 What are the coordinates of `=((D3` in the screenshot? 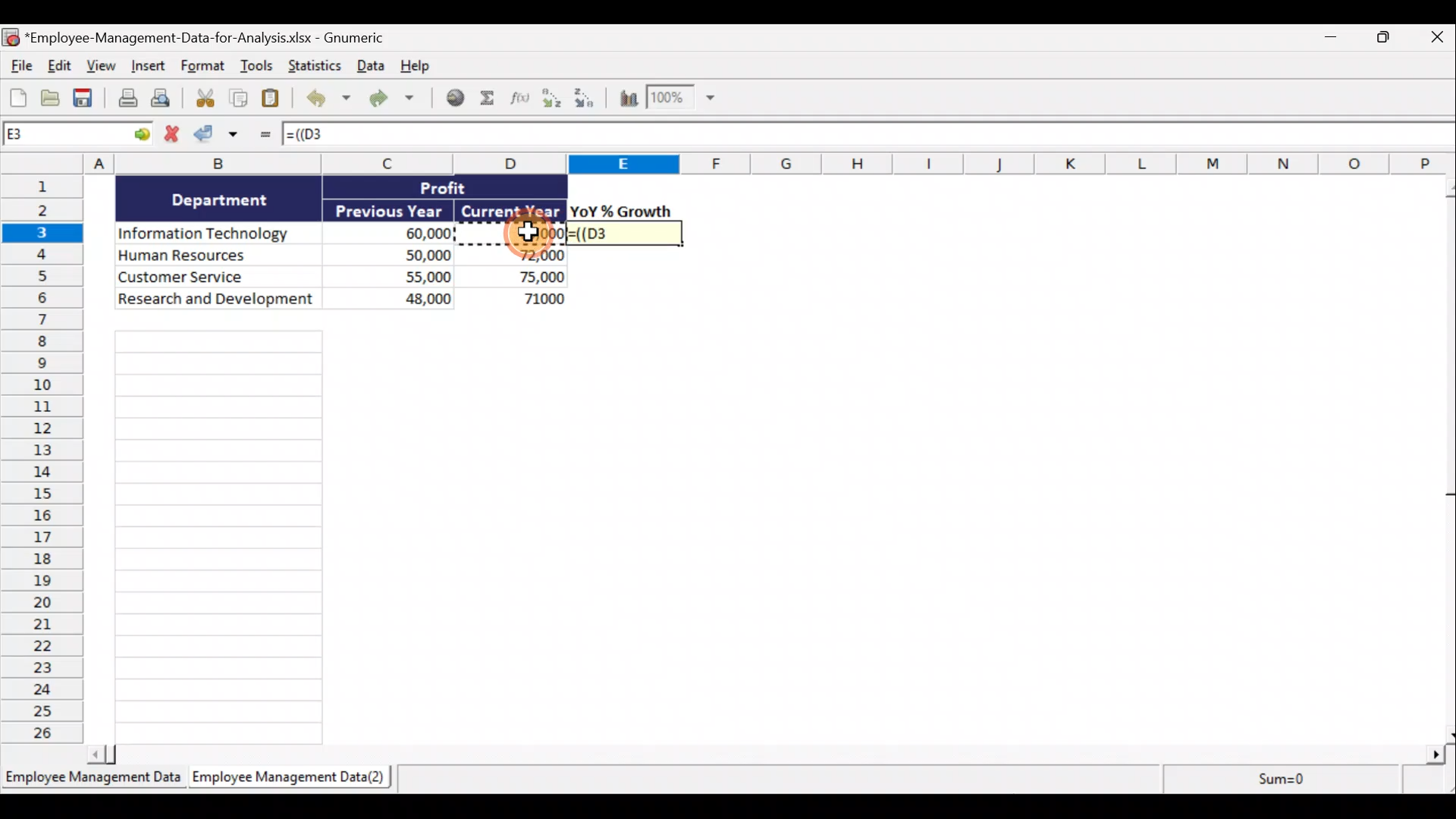 It's located at (328, 136).